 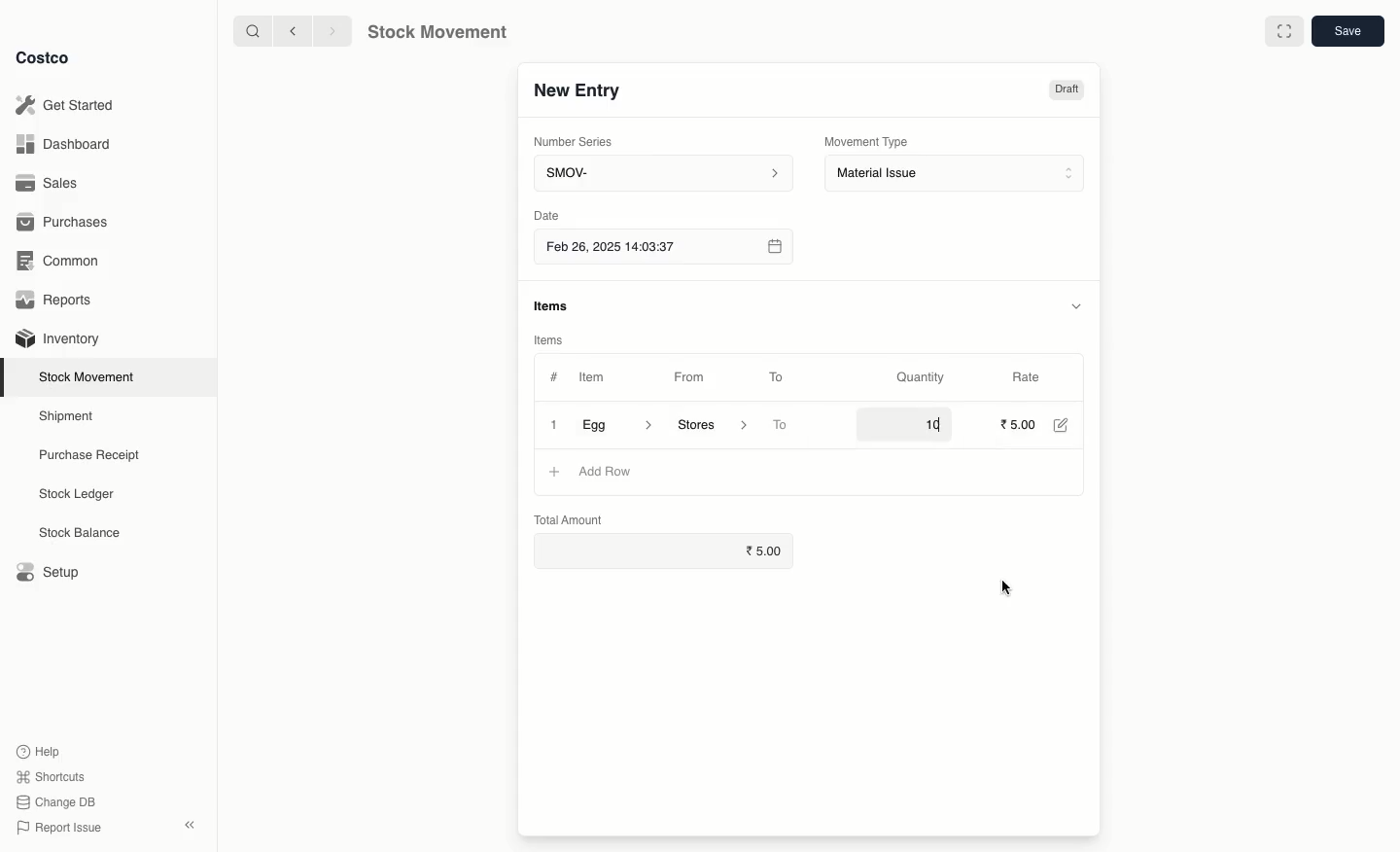 I want to click on Total Amount, so click(x=569, y=518).